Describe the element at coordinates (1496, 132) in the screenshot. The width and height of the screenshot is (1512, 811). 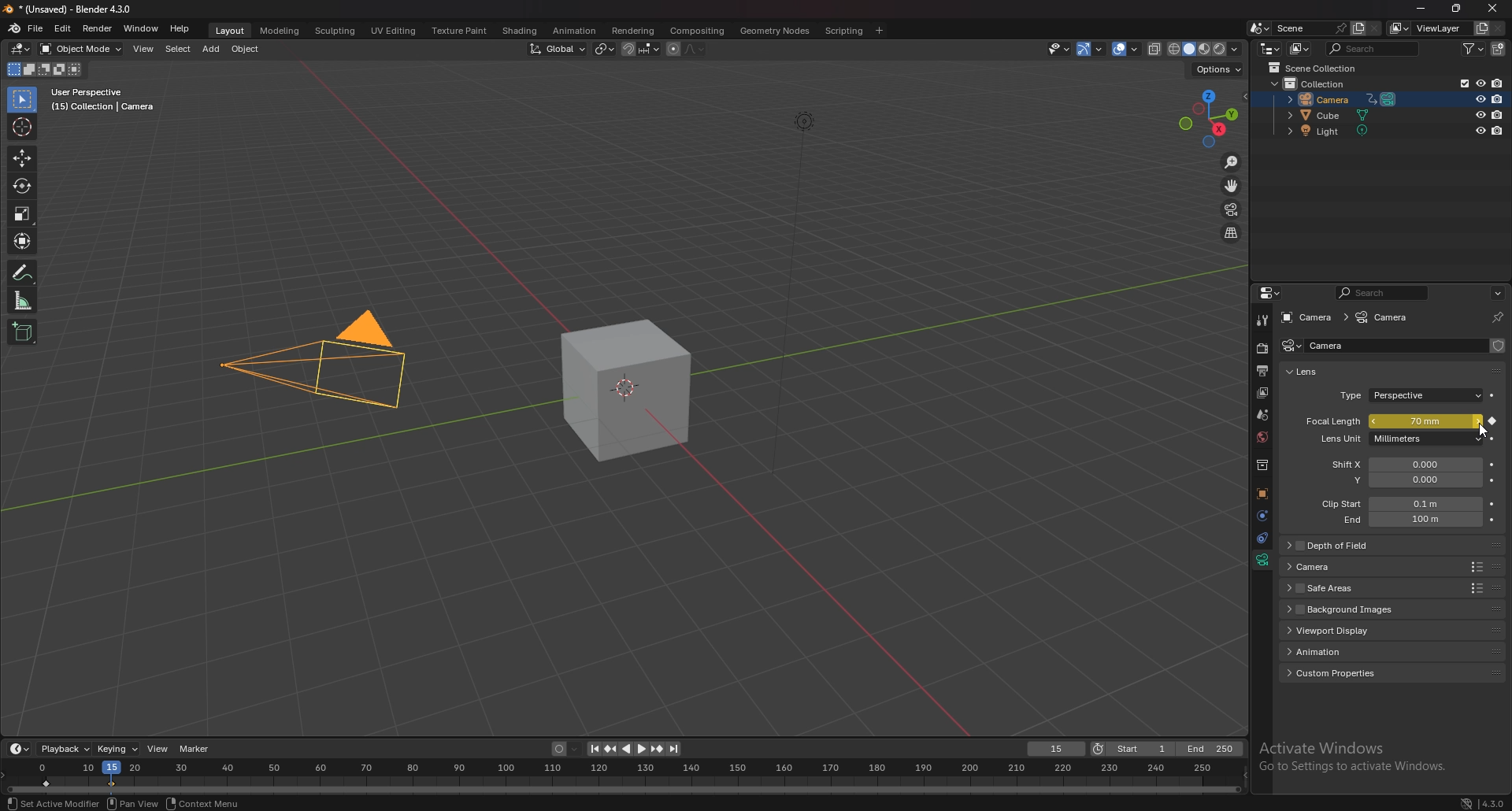
I see `disable in renders` at that location.